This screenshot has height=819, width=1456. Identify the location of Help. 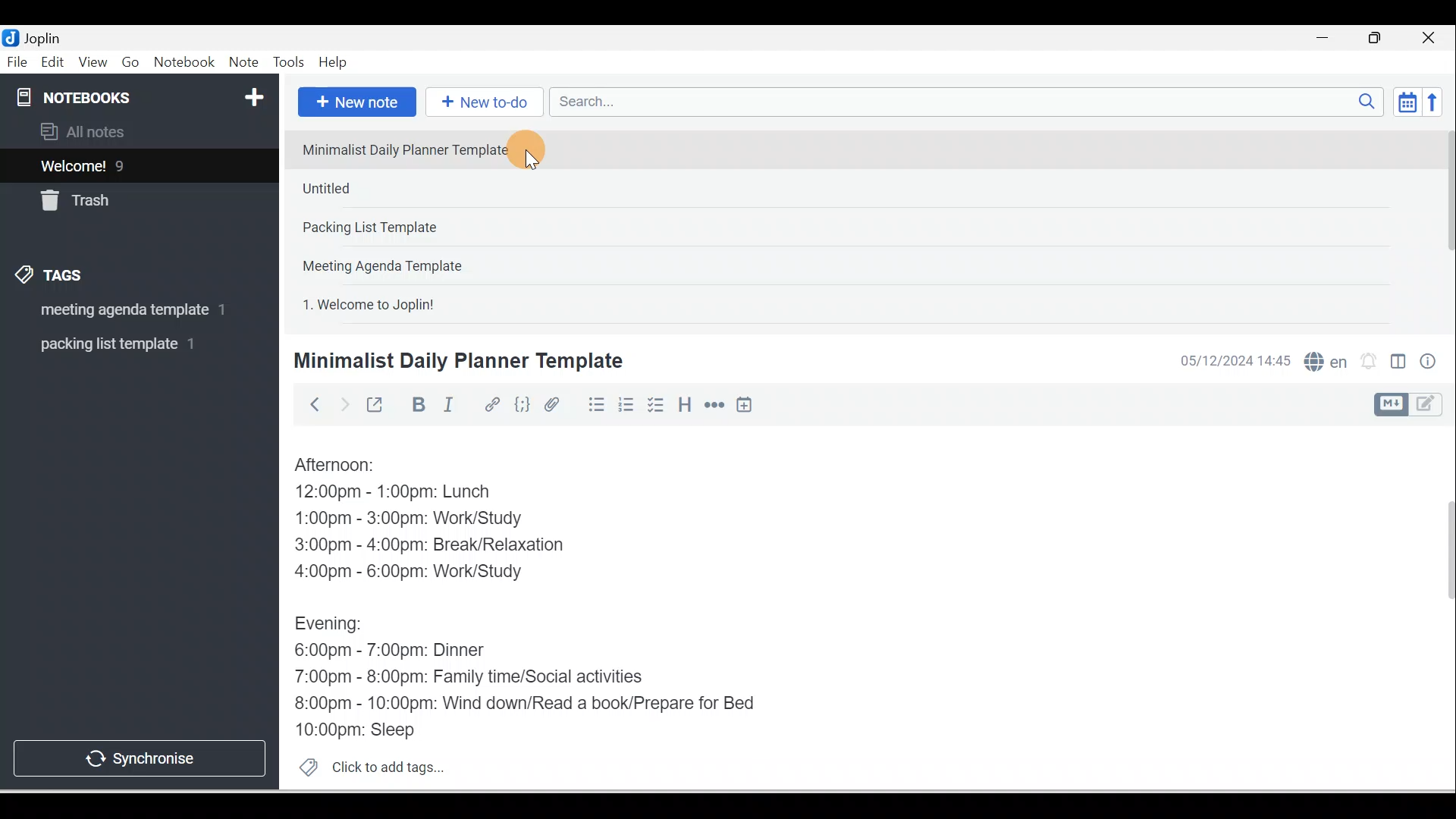
(334, 63).